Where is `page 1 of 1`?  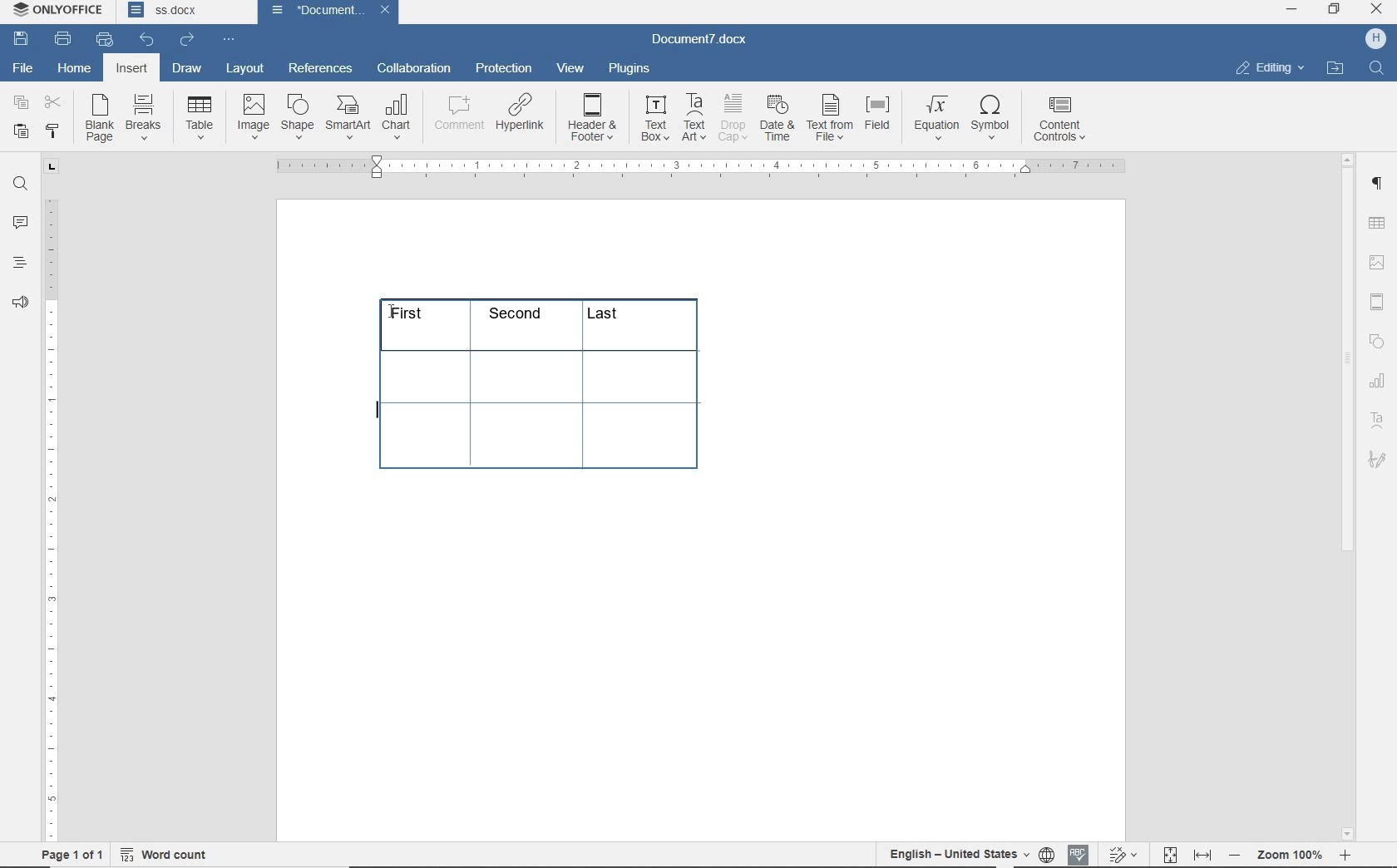 page 1 of 1 is located at coordinates (69, 852).